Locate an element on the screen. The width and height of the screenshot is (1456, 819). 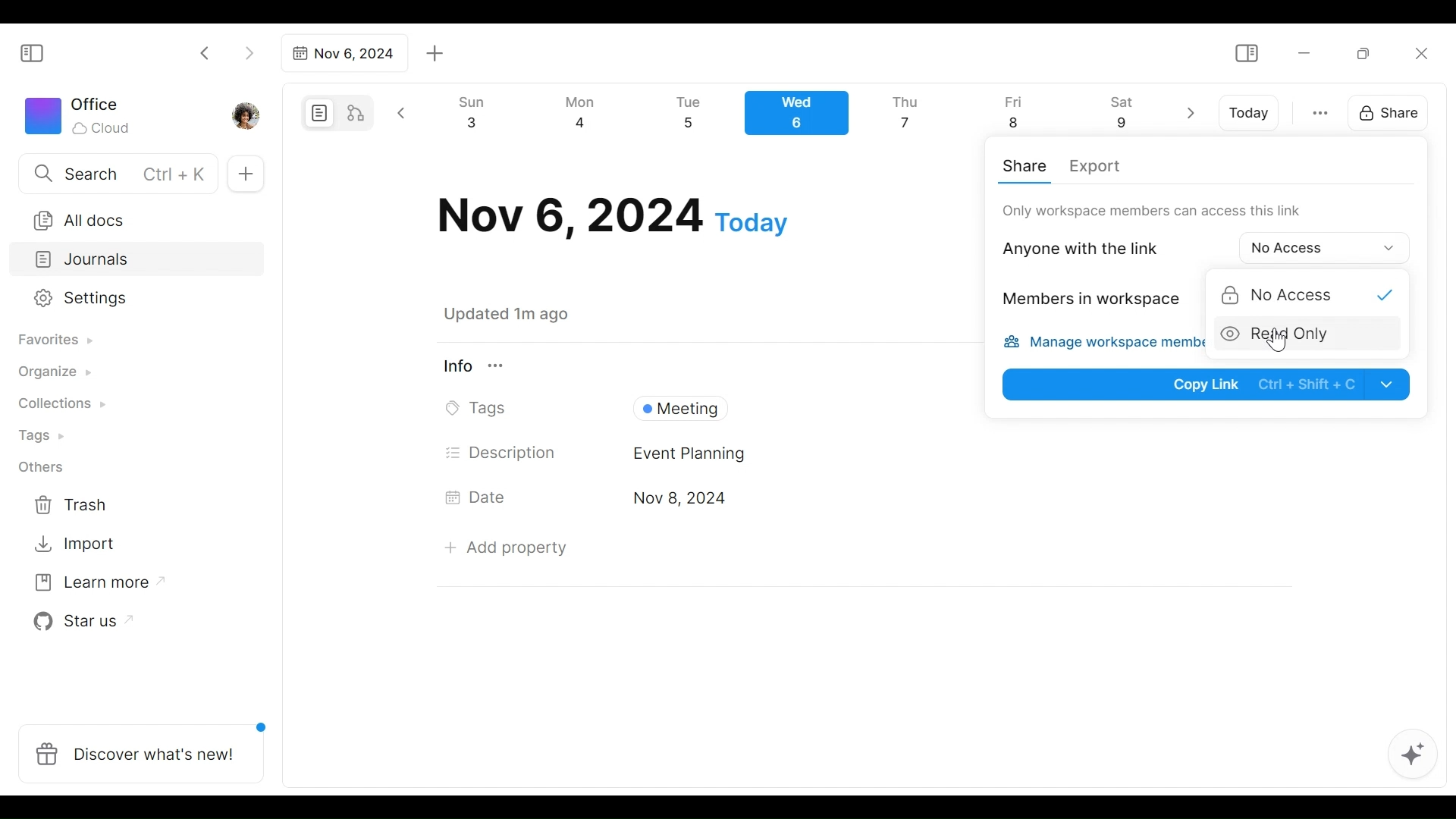
Date is located at coordinates (481, 497).